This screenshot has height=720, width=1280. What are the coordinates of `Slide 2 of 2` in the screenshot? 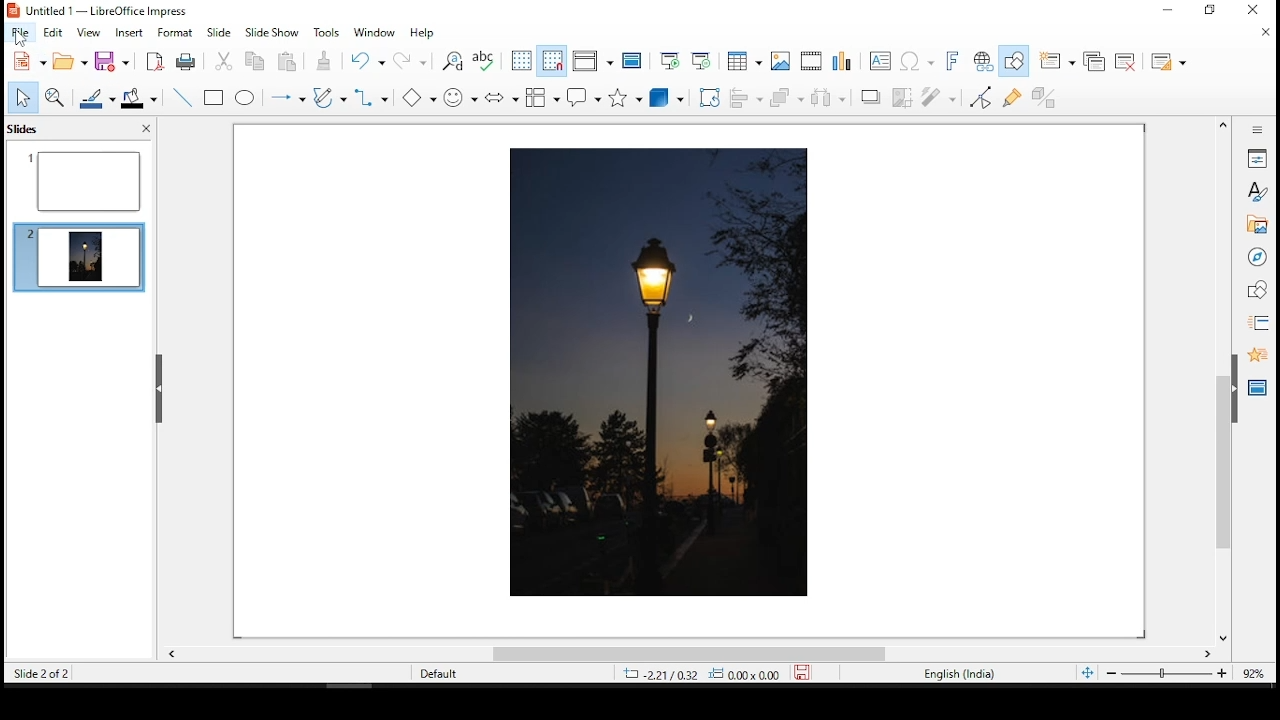 It's located at (38, 673).